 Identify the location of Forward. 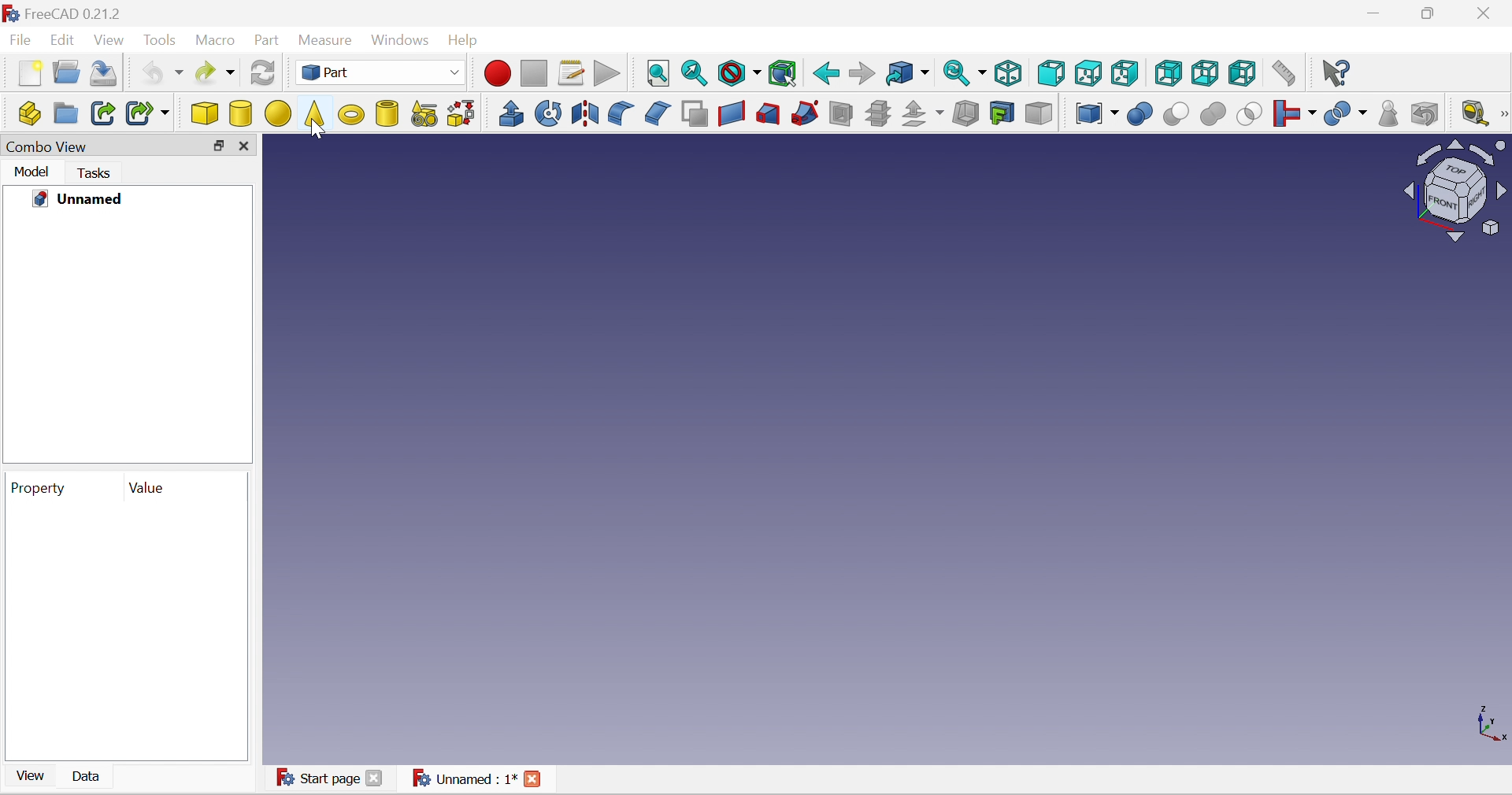
(859, 74).